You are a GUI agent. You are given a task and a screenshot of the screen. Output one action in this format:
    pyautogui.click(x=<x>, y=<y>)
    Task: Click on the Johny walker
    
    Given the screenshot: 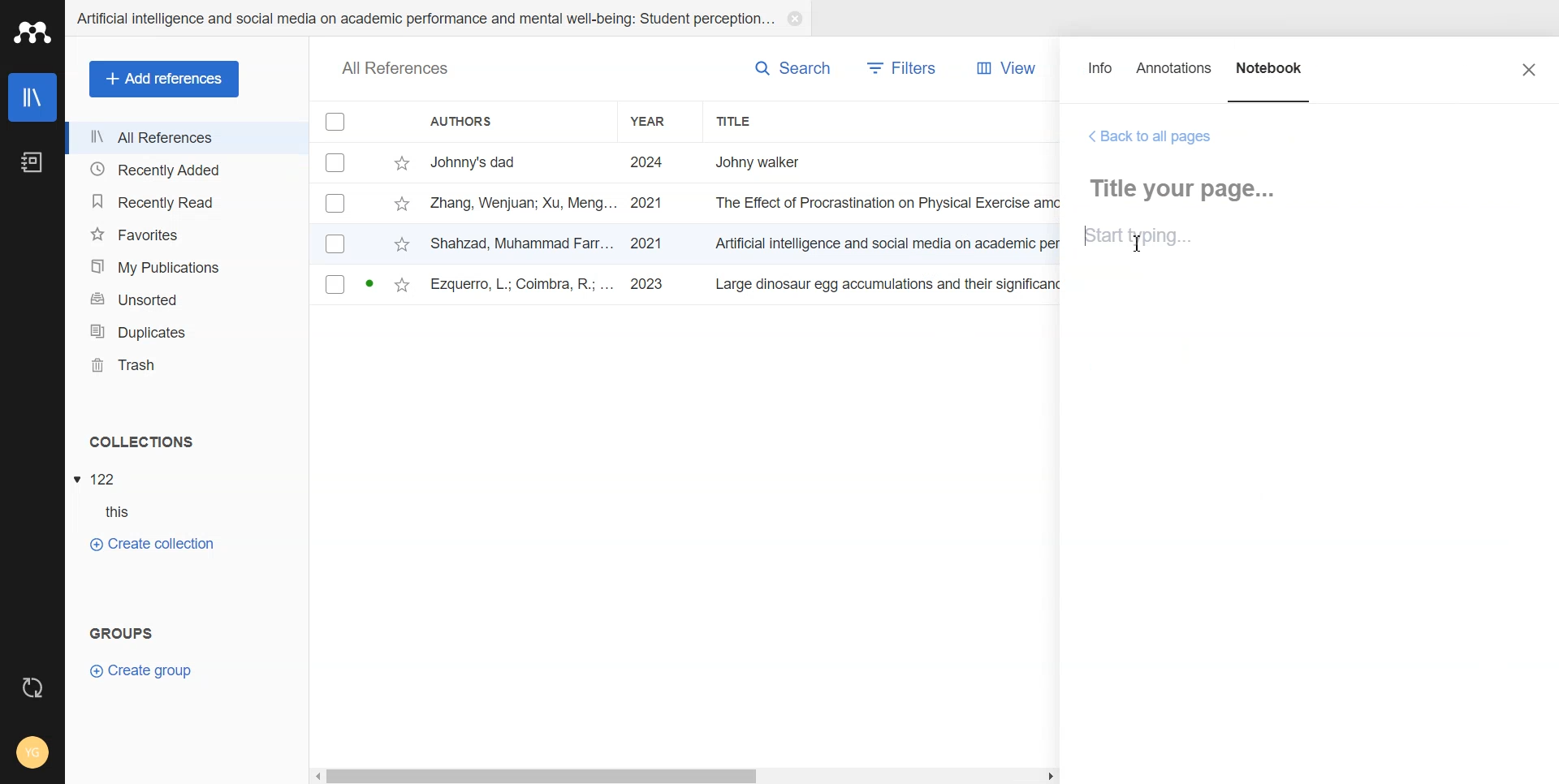 What is the action you would take?
    pyautogui.click(x=775, y=161)
    